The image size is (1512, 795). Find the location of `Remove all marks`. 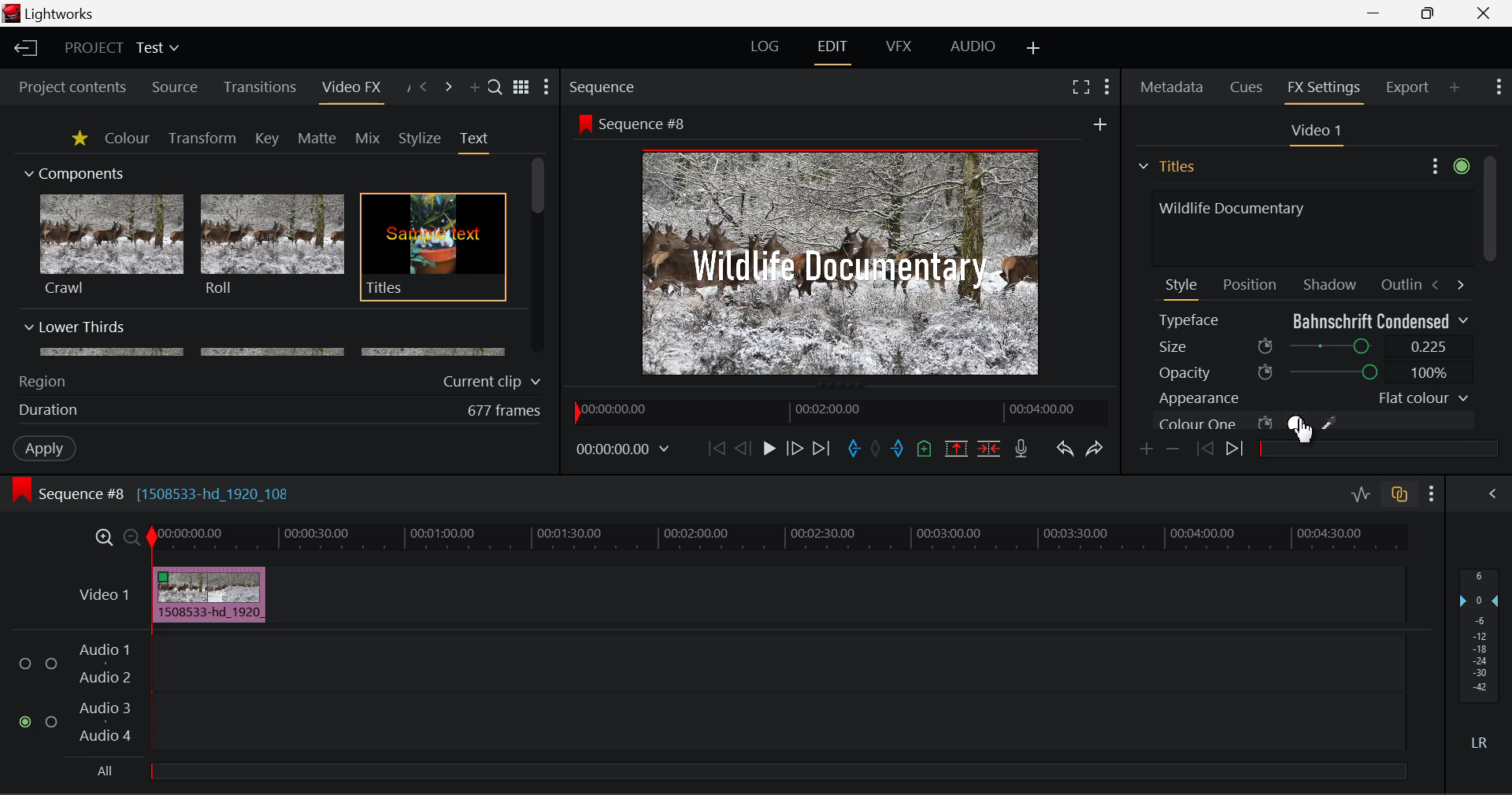

Remove all marks is located at coordinates (877, 450).